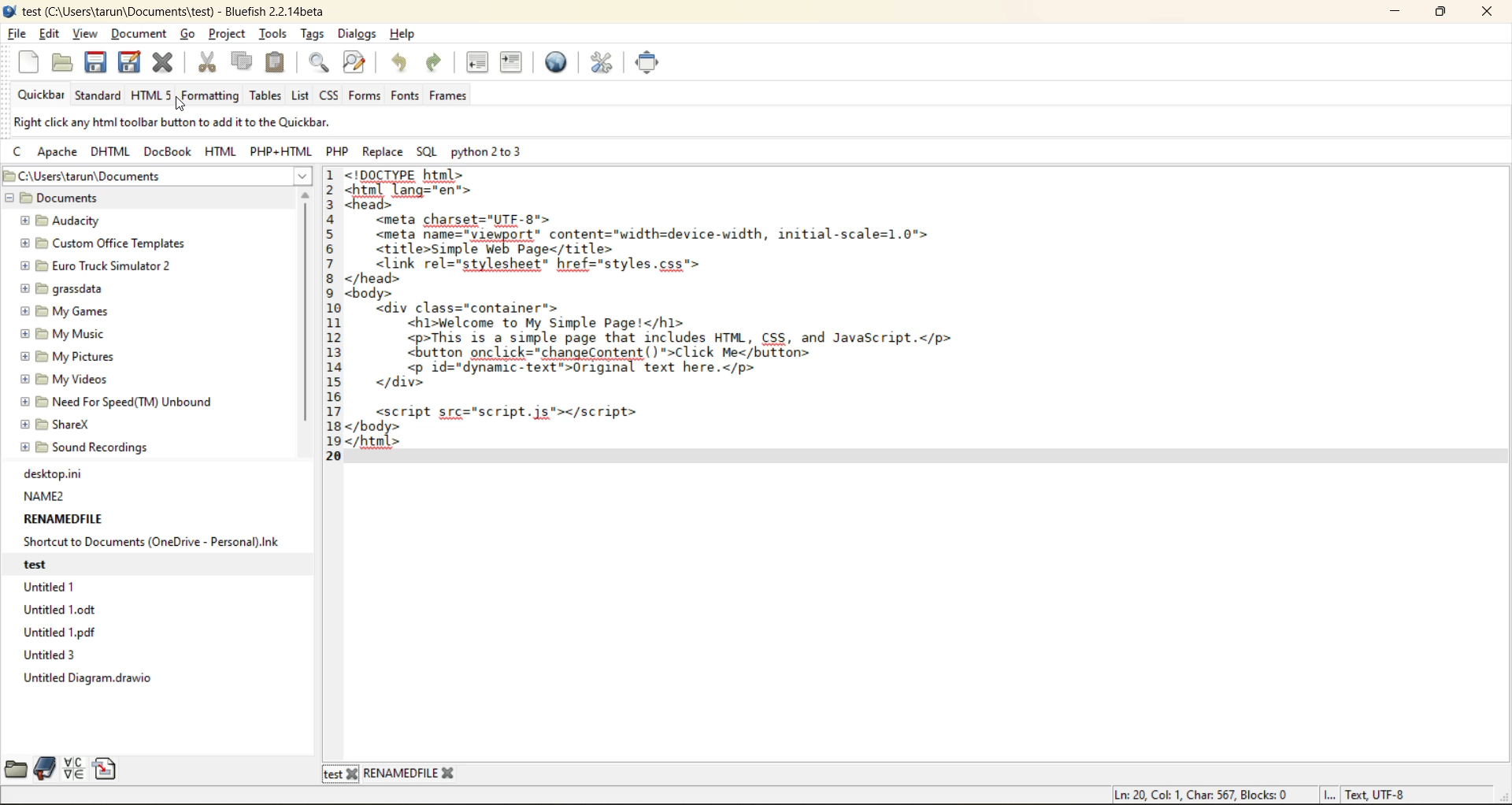 The width and height of the screenshot is (1512, 805). What do you see at coordinates (358, 34) in the screenshot?
I see `dialogs` at bounding box center [358, 34].